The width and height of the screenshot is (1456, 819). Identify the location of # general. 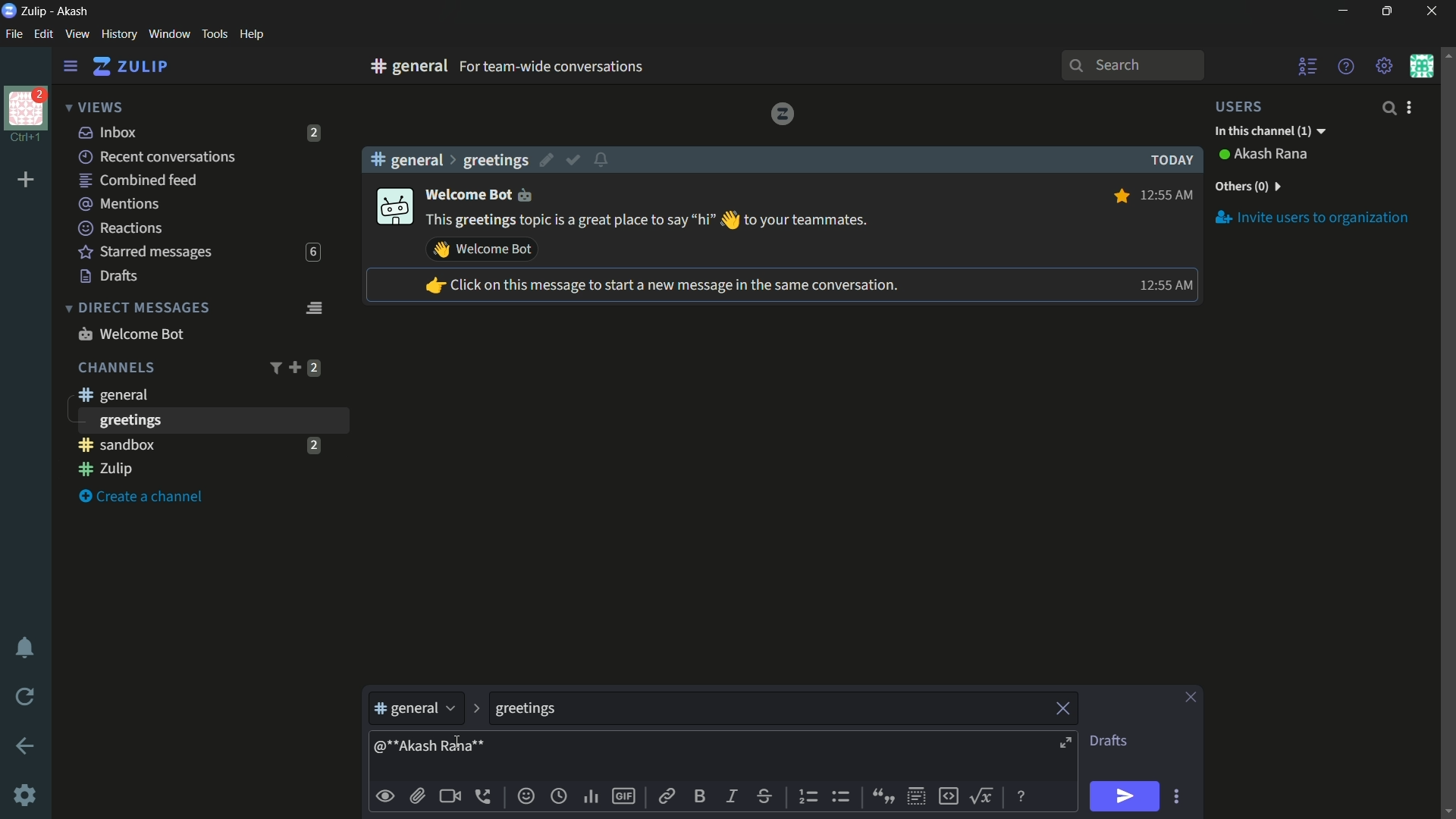
(406, 159).